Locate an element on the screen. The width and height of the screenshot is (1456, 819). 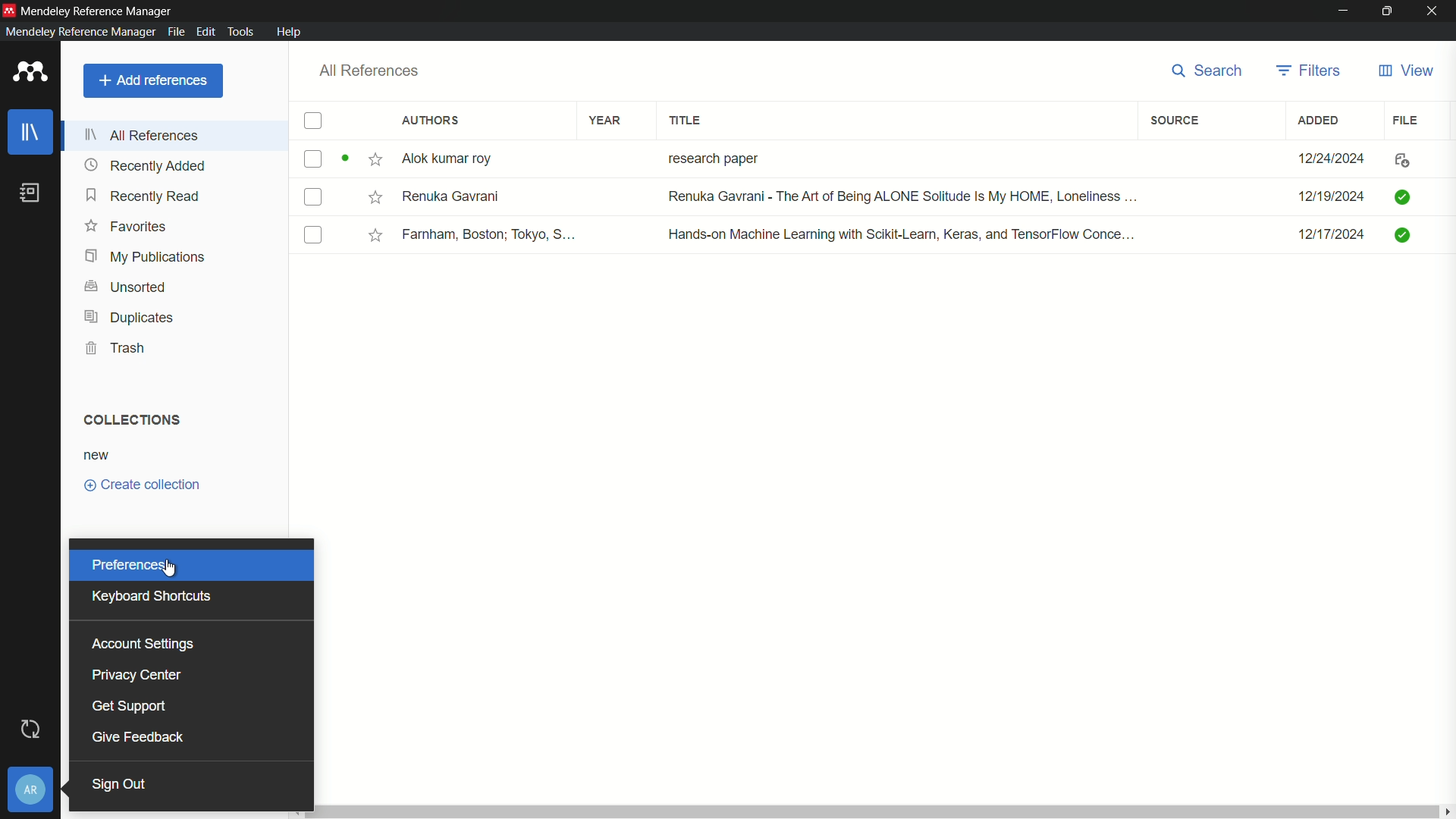
new is located at coordinates (96, 457).